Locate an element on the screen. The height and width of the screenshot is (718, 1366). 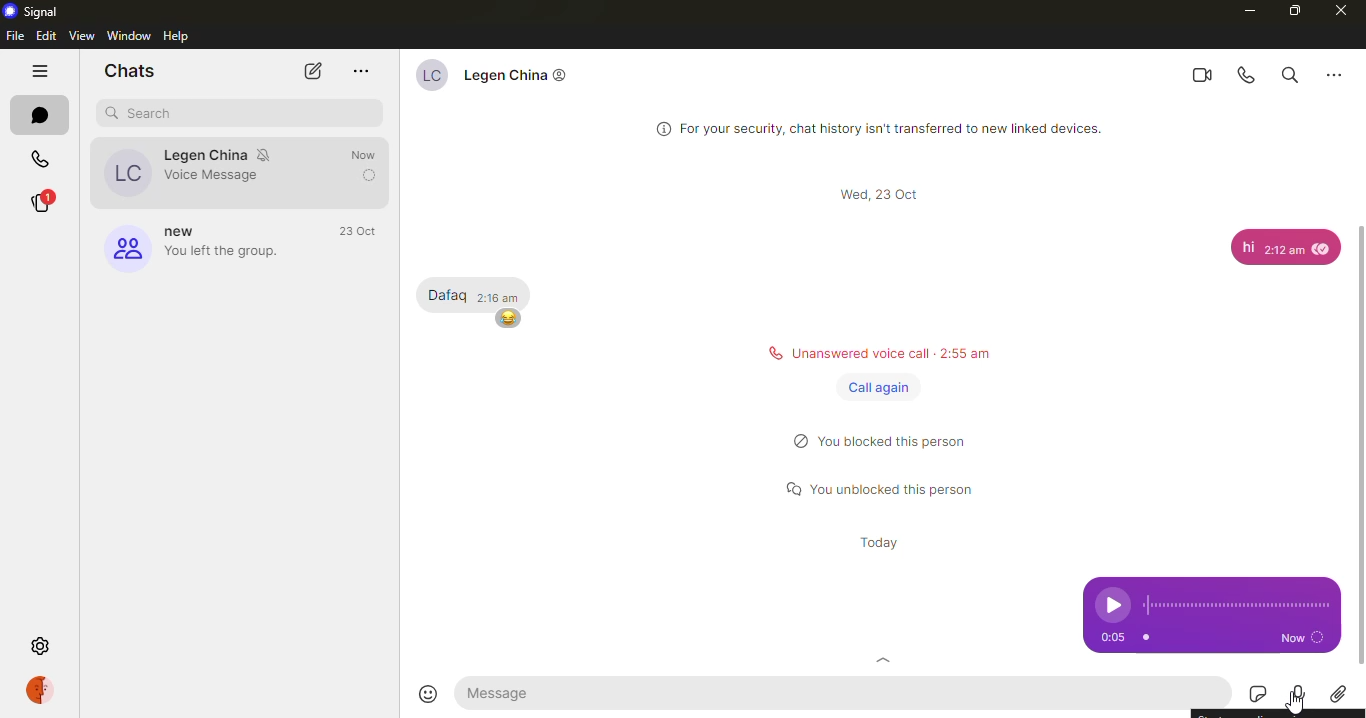
track is located at coordinates (1236, 605).